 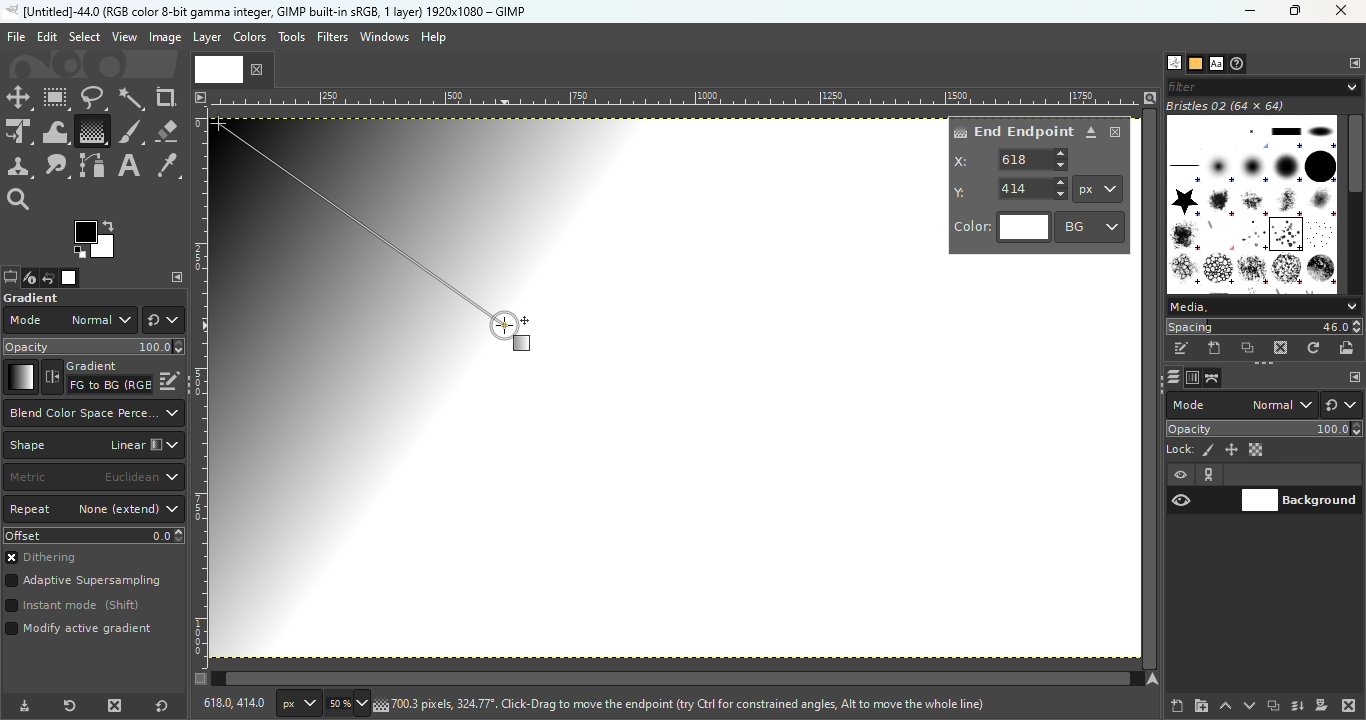 What do you see at coordinates (1226, 706) in the screenshot?
I see `Raise this layer one step in the layer stack` at bounding box center [1226, 706].